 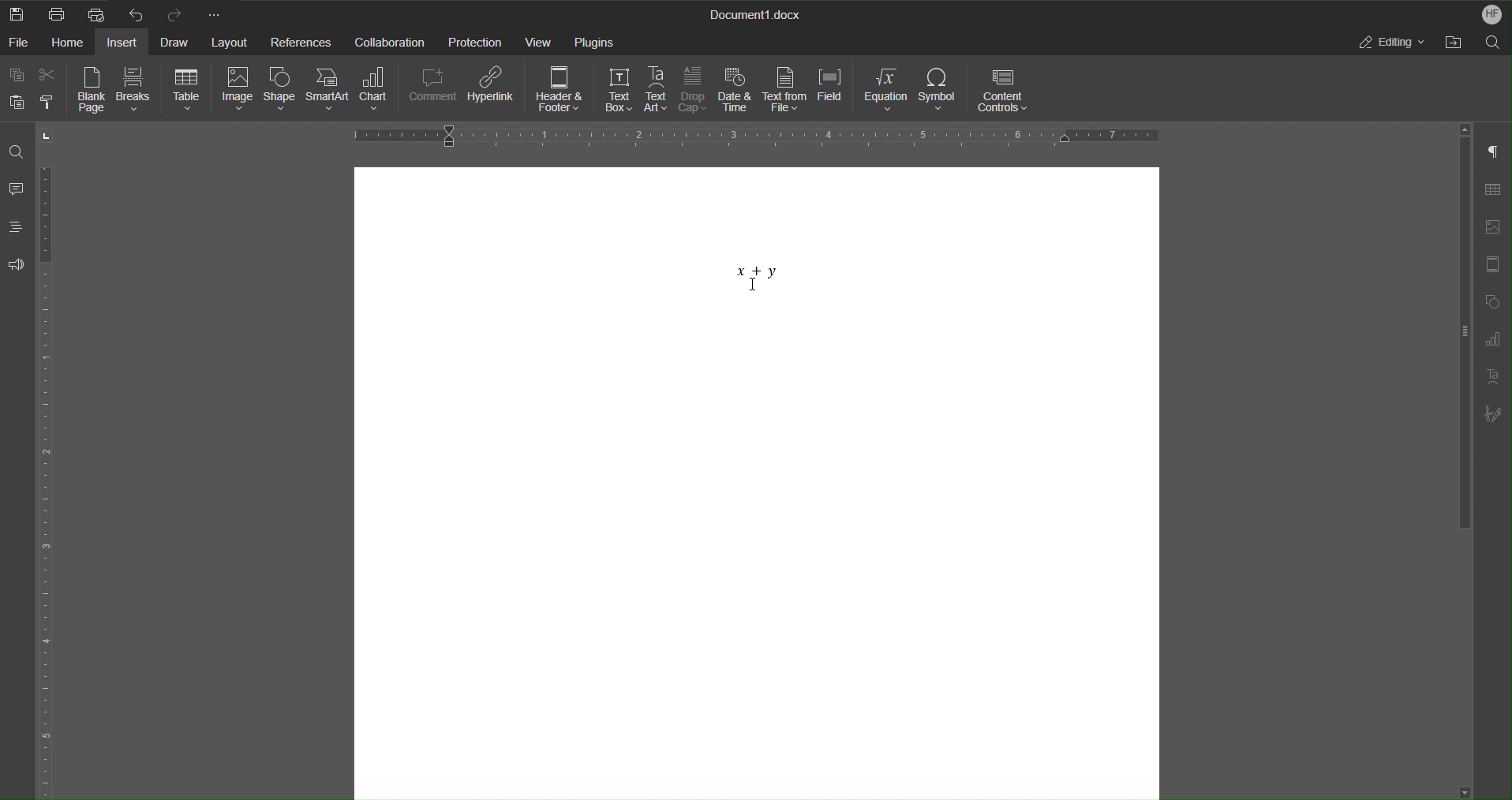 I want to click on Find, so click(x=17, y=152).